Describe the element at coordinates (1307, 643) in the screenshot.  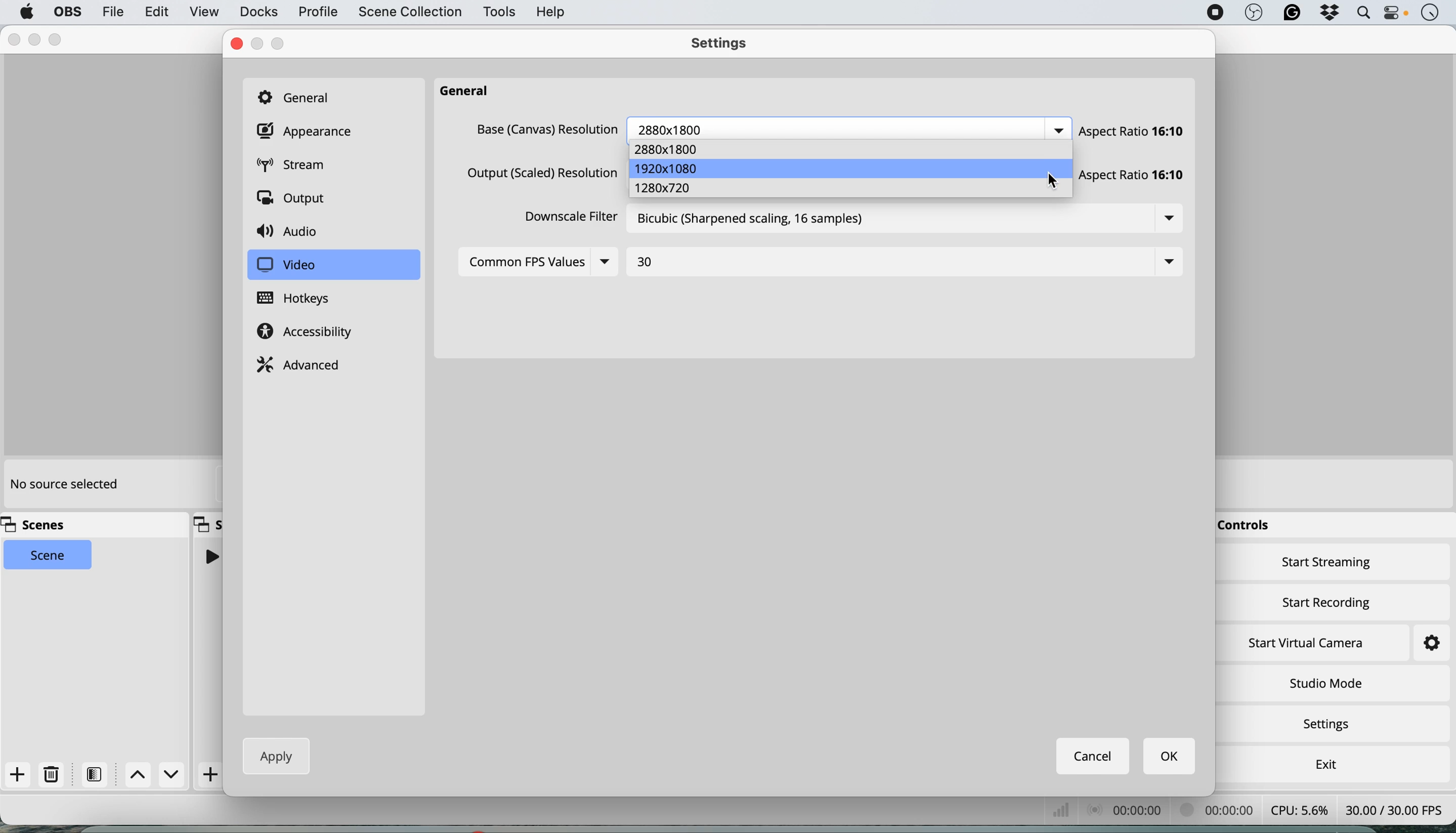
I see `start virtual camera` at that location.